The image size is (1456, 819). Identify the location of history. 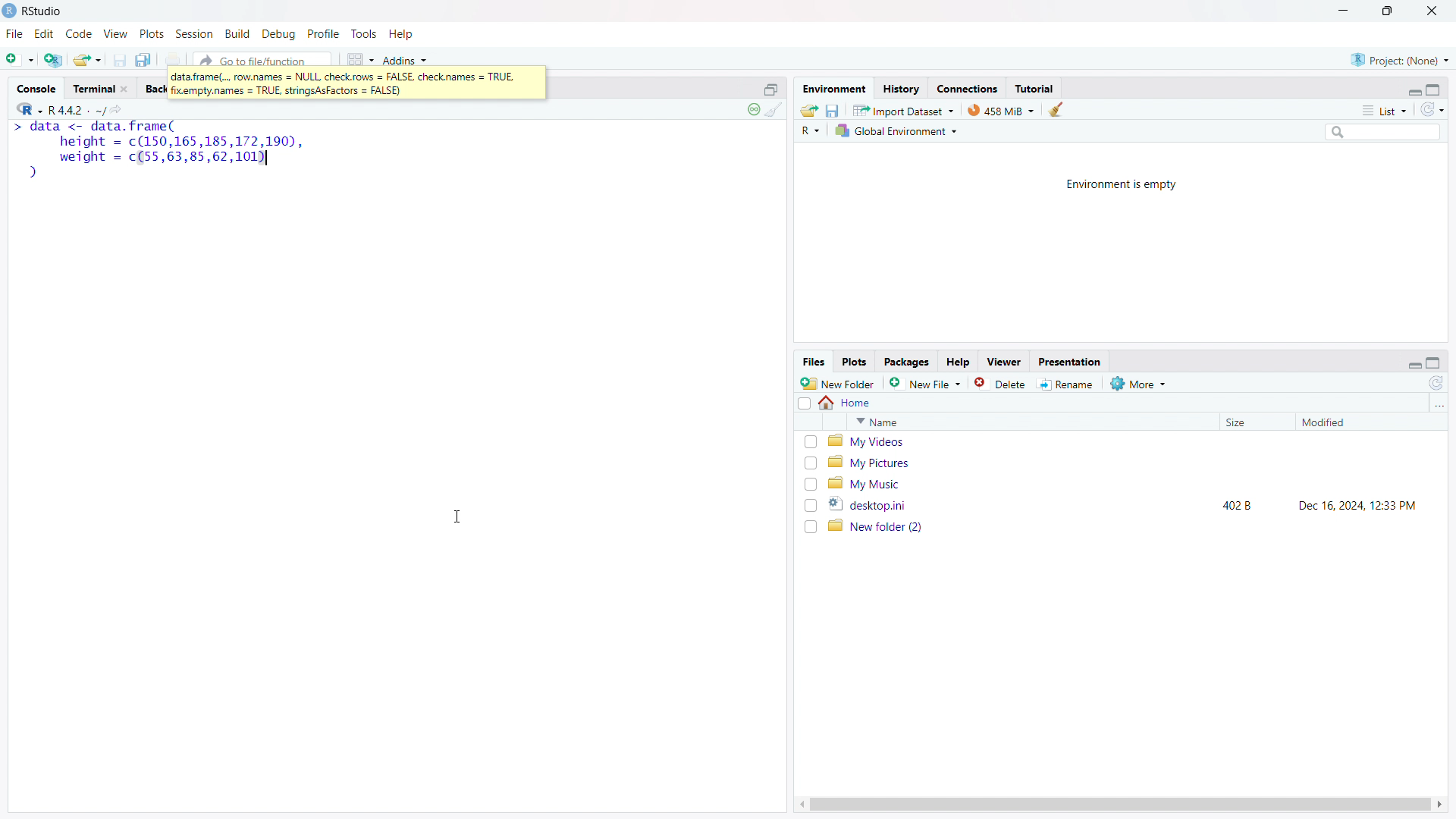
(901, 88).